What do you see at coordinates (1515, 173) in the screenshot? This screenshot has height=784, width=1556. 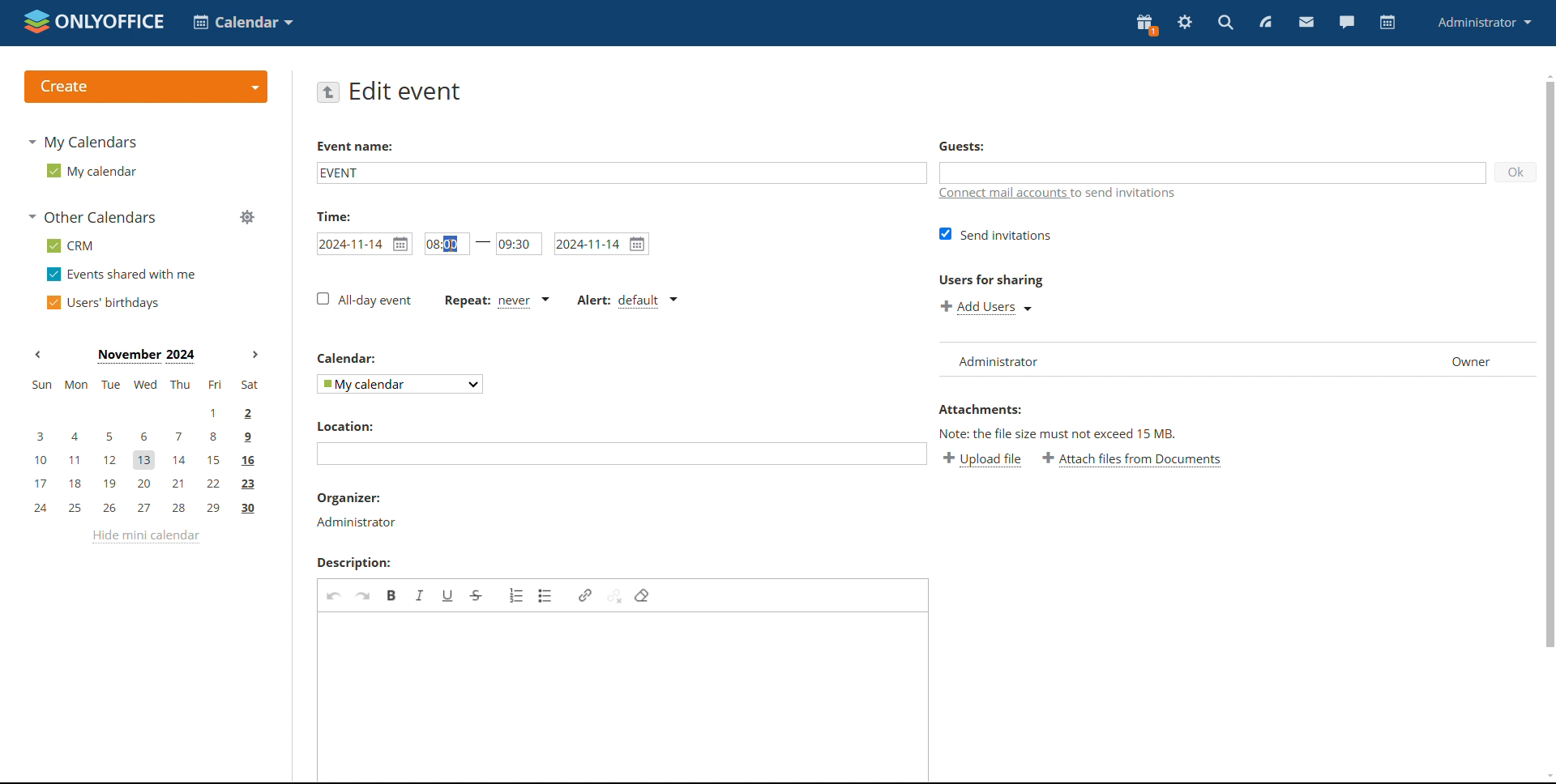 I see `ok` at bounding box center [1515, 173].